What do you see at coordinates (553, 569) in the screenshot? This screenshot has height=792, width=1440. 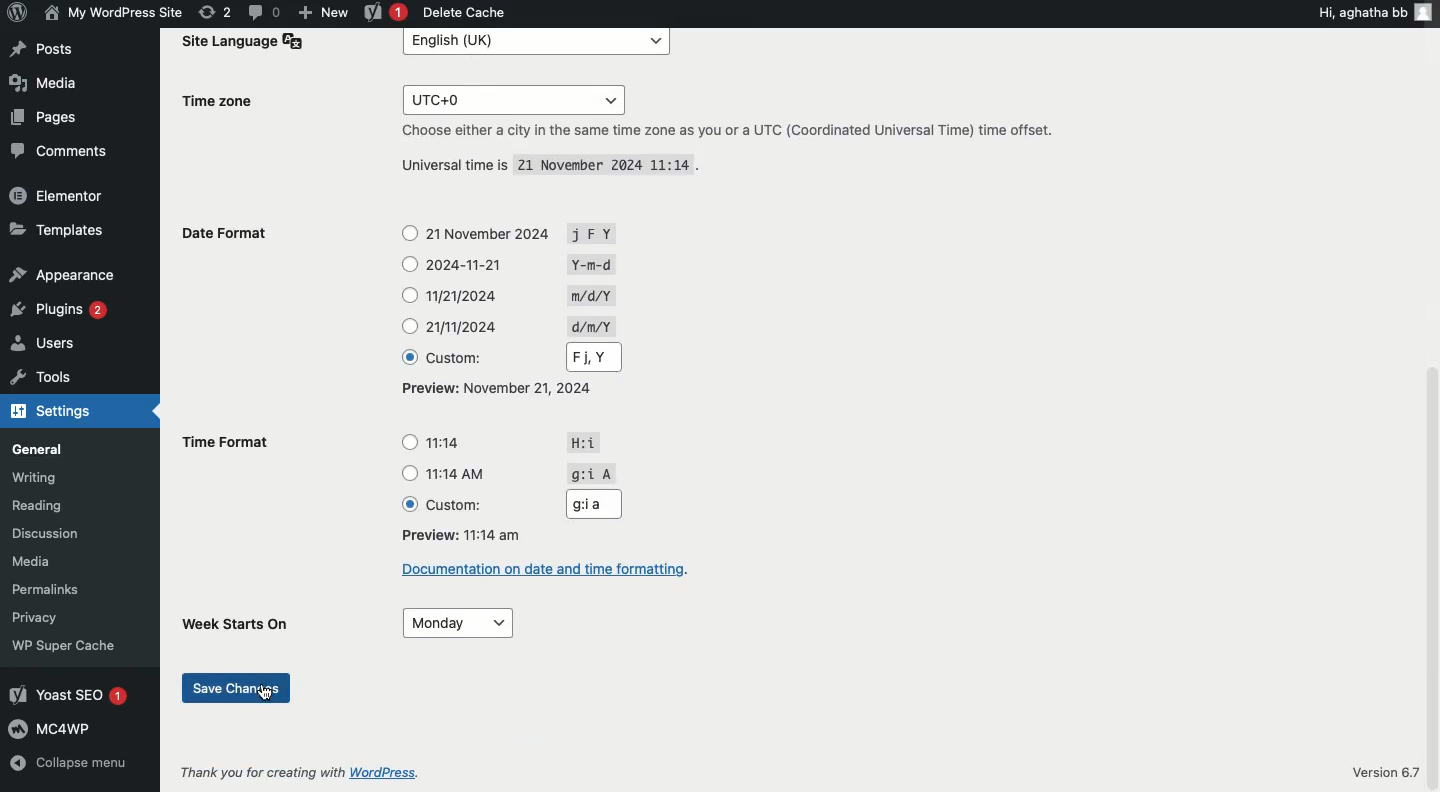 I see `‘Documentation on date and time formatting.` at bounding box center [553, 569].